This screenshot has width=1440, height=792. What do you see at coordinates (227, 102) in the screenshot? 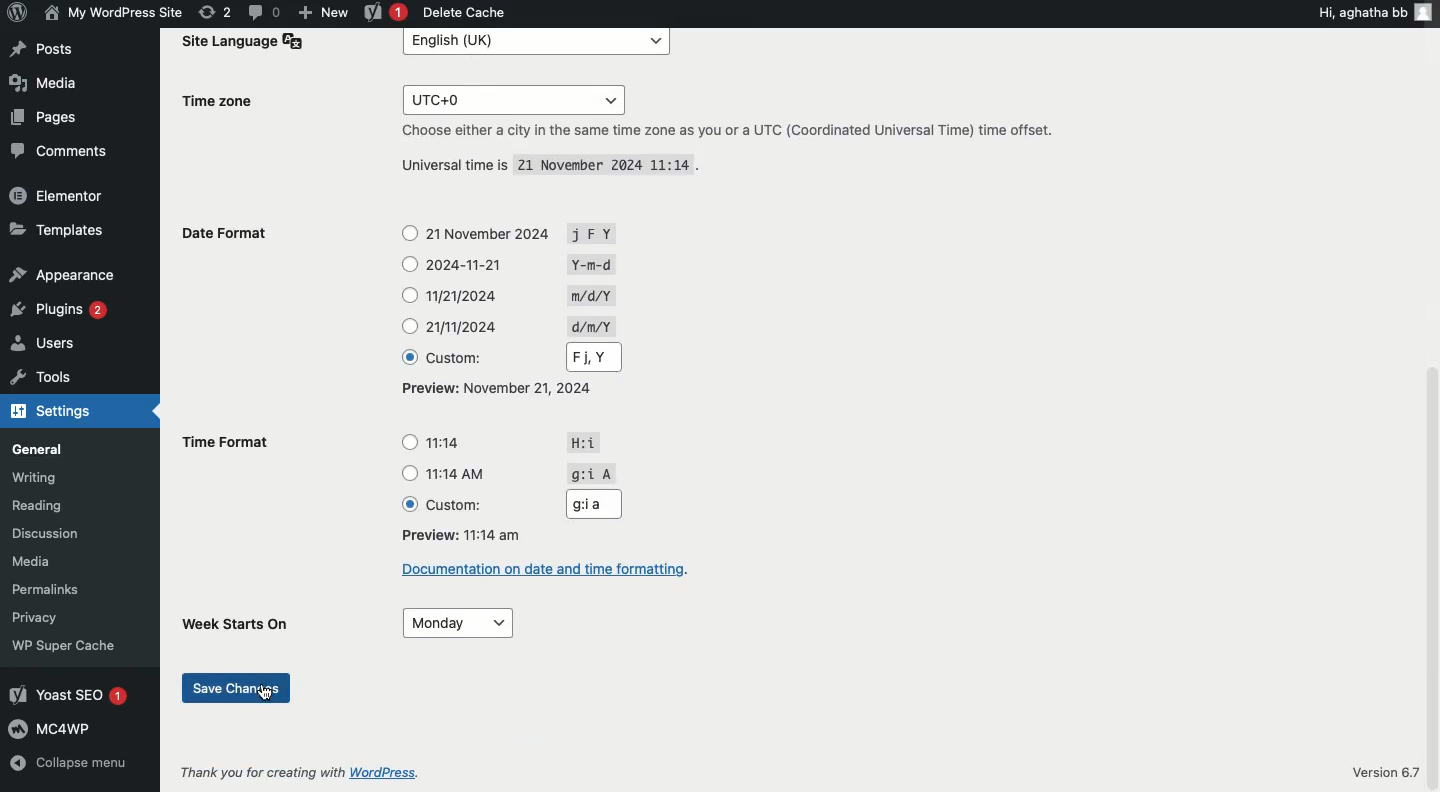
I see `Time zone` at bounding box center [227, 102].